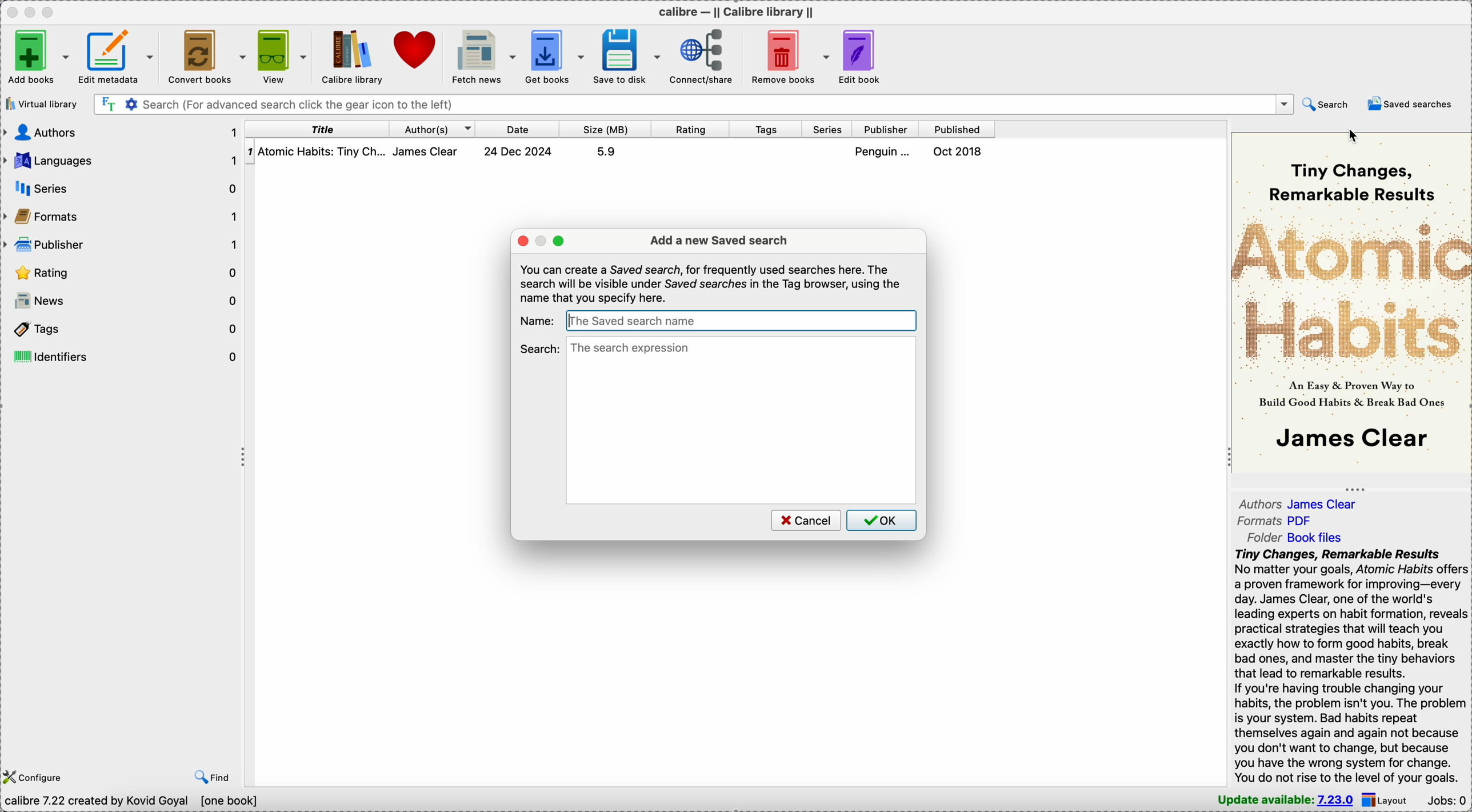 This screenshot has width=1472, height=812. Describe the element at coordinates (882, 520) in the screenshot. I see `OK` at that location.